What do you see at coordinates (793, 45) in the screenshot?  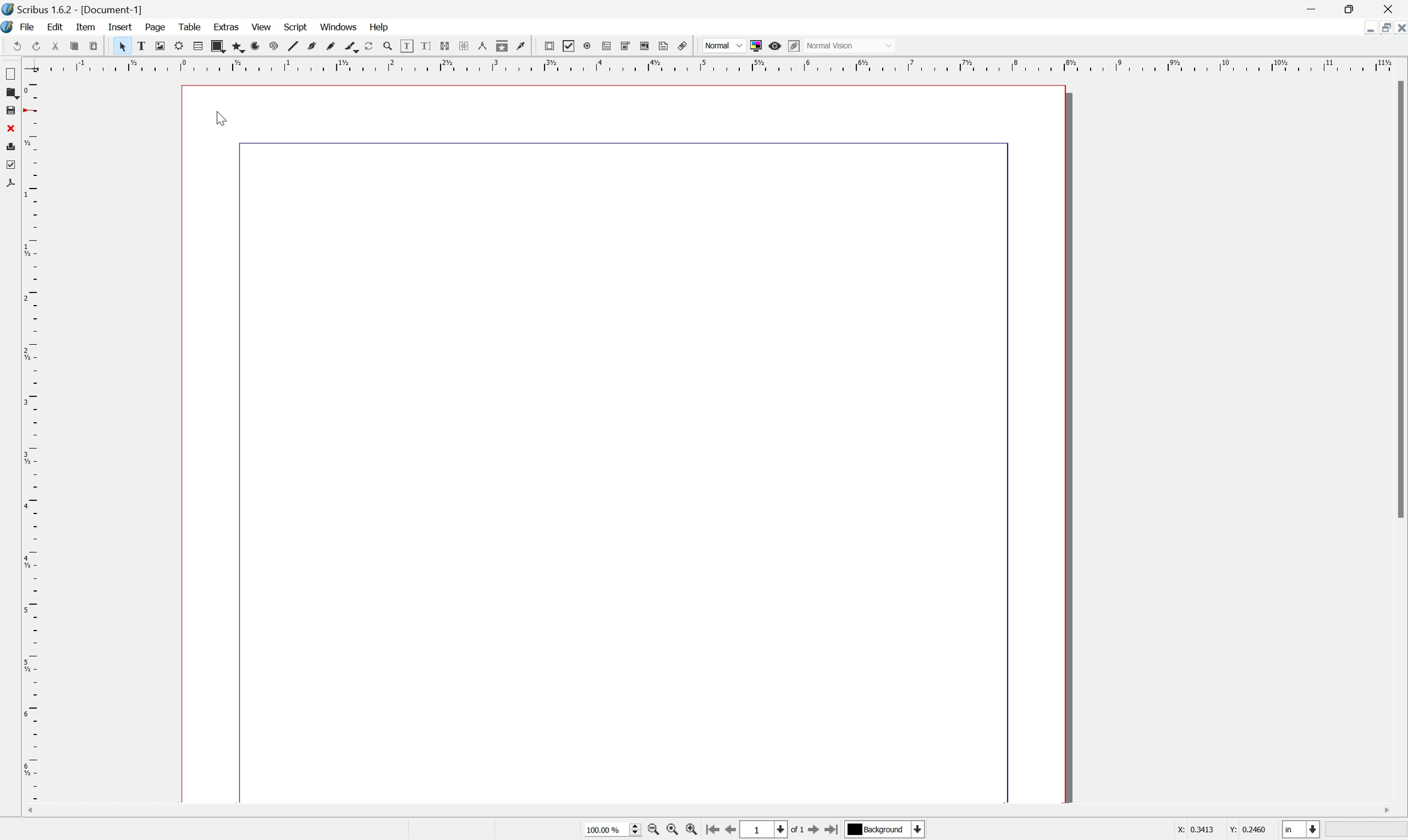 I see `edit in preview mode` at bounding box center [793, 45].